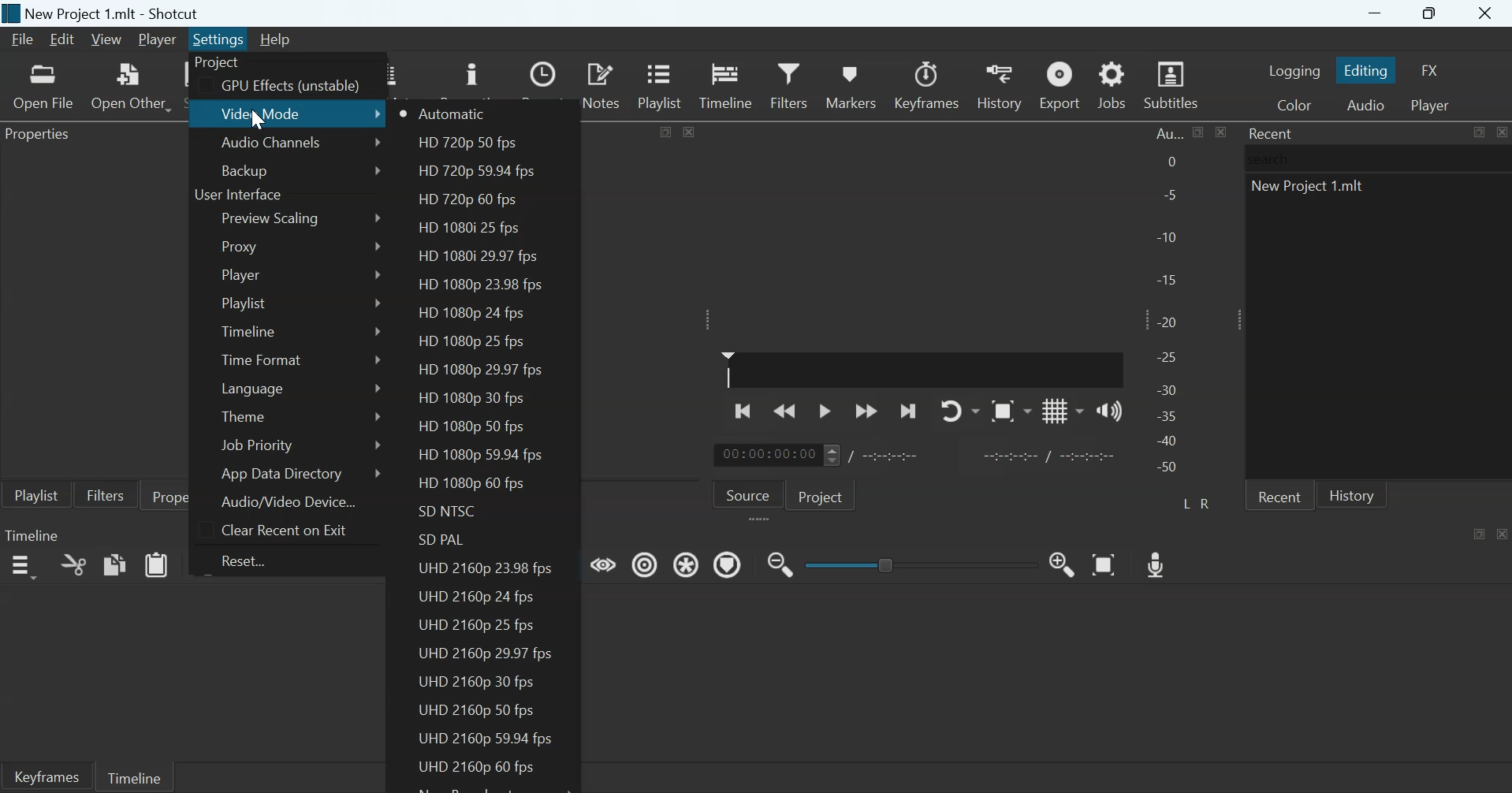 This screenshot has height=793, width=1512. What do you see at coordinates (468, 485) in the screenshot?
I see `HD 1080p 60fps` at bounding box center [468, 485].